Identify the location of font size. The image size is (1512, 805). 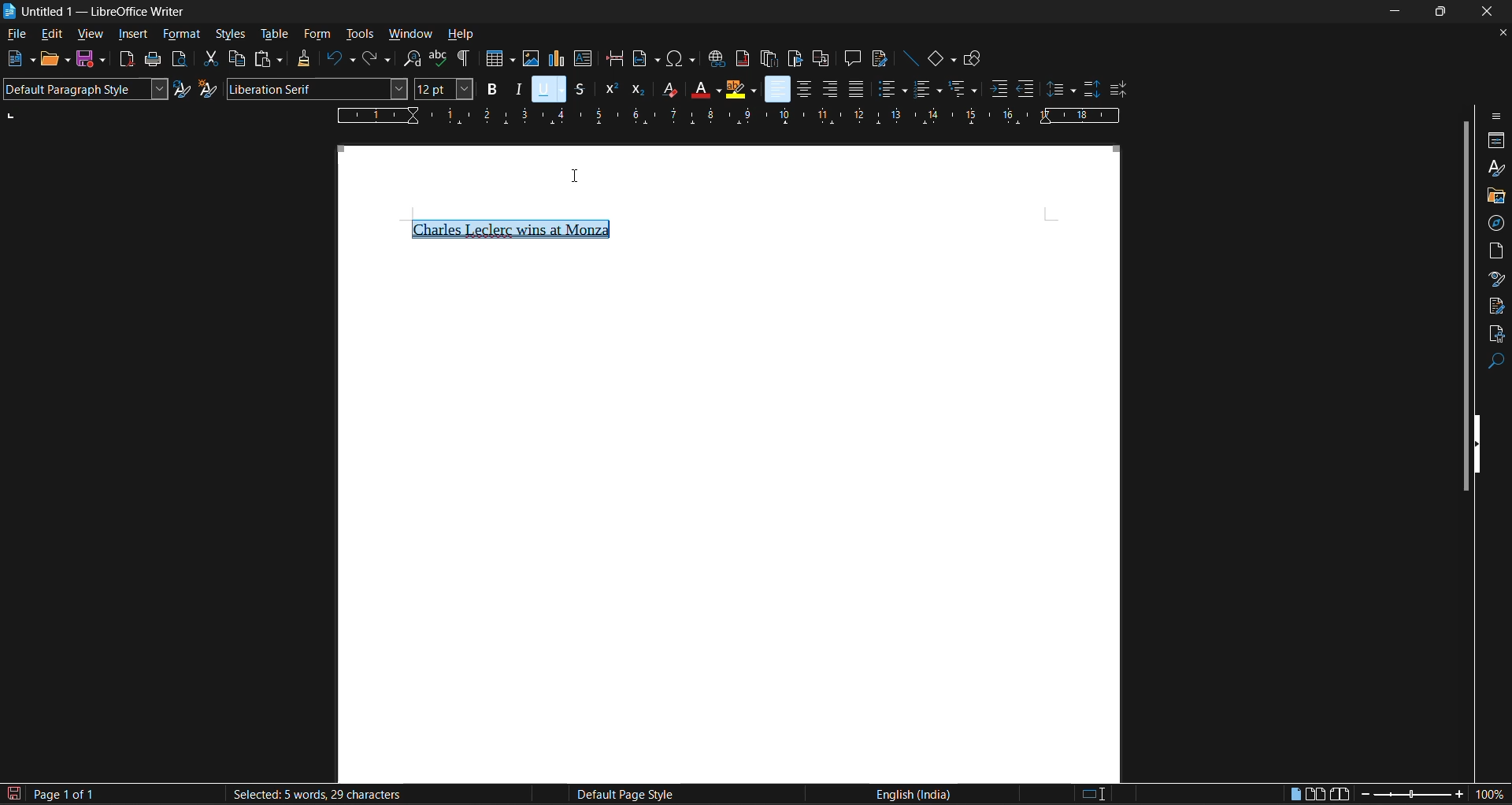
(443, 88).